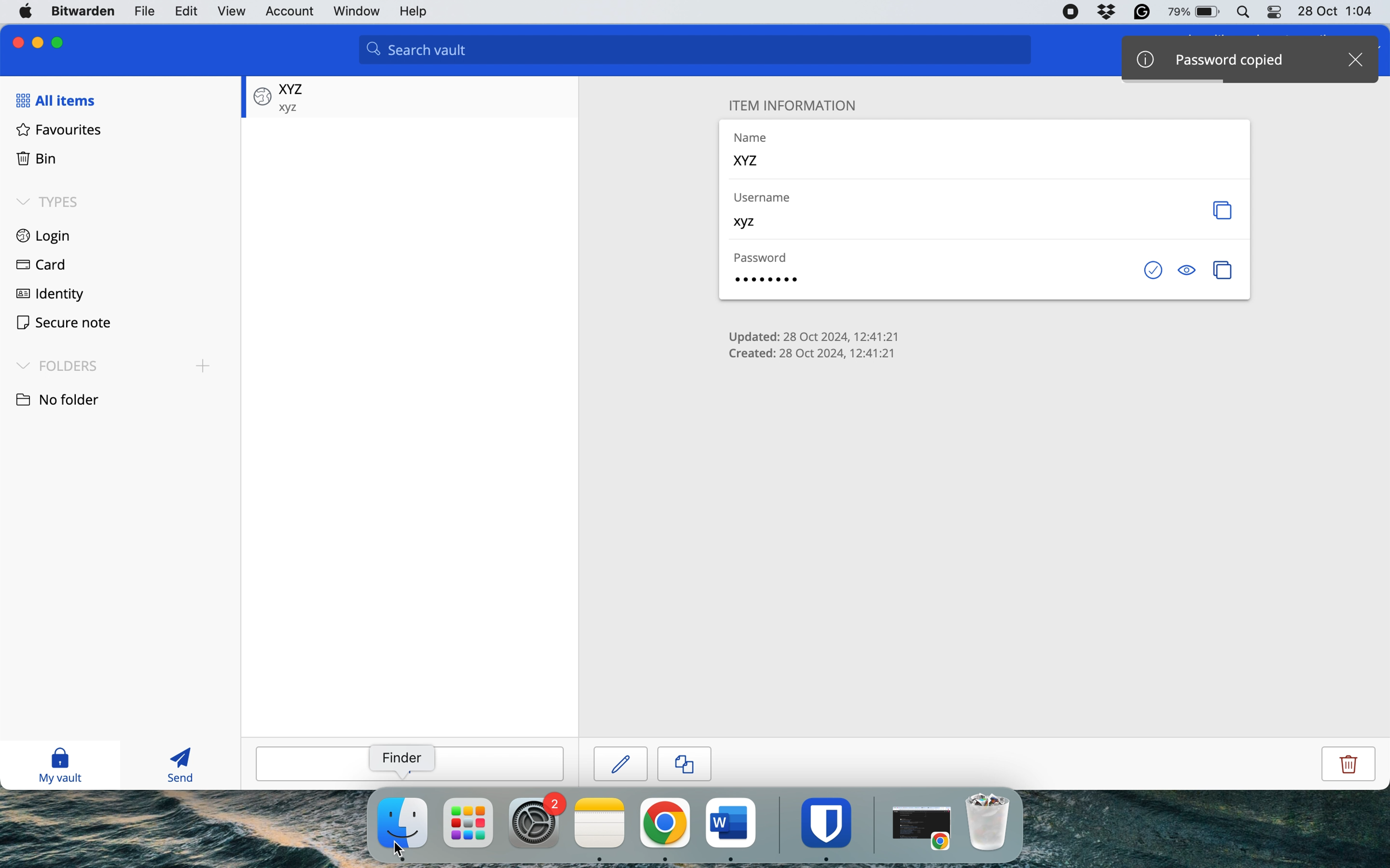 The height and width of the screenshot is (868, 1390). What do you see at coordinates (1241, 13) in the screenshot?
I see `spotlight search` at bounding box center [1241, 13].